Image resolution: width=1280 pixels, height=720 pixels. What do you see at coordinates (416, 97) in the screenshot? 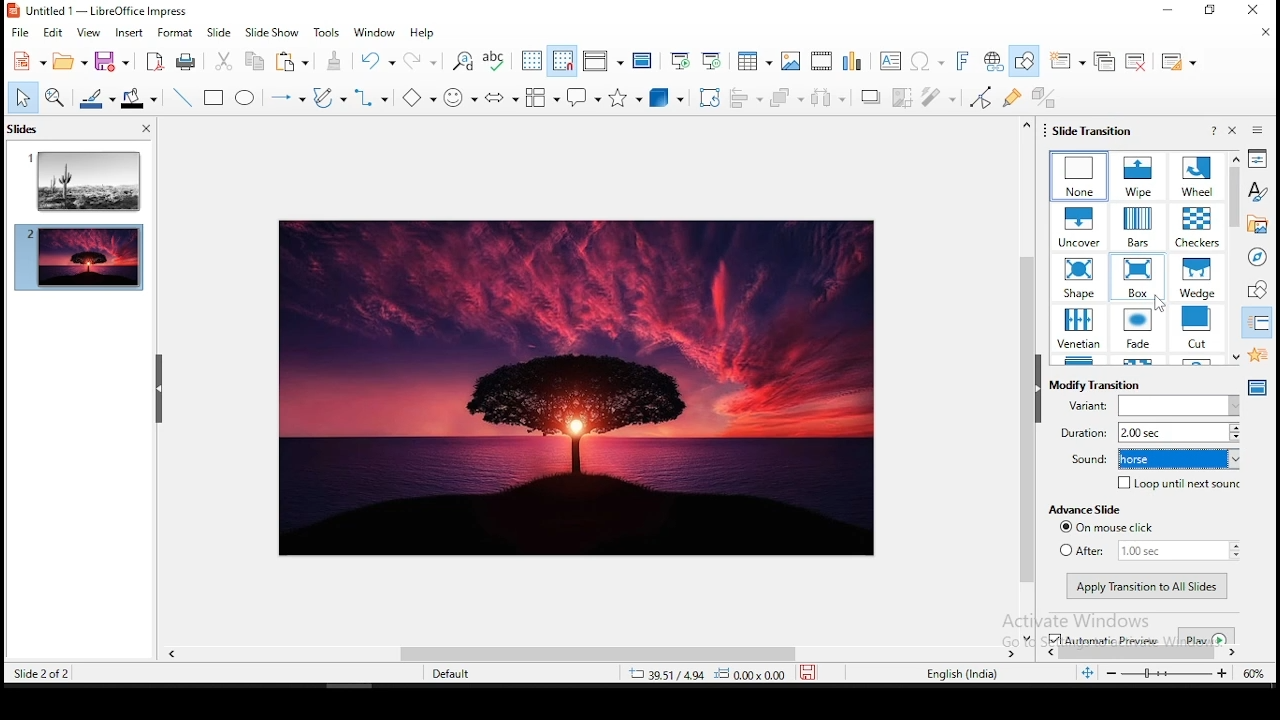
I see `basic shapes` at bounding box center [416, 97].